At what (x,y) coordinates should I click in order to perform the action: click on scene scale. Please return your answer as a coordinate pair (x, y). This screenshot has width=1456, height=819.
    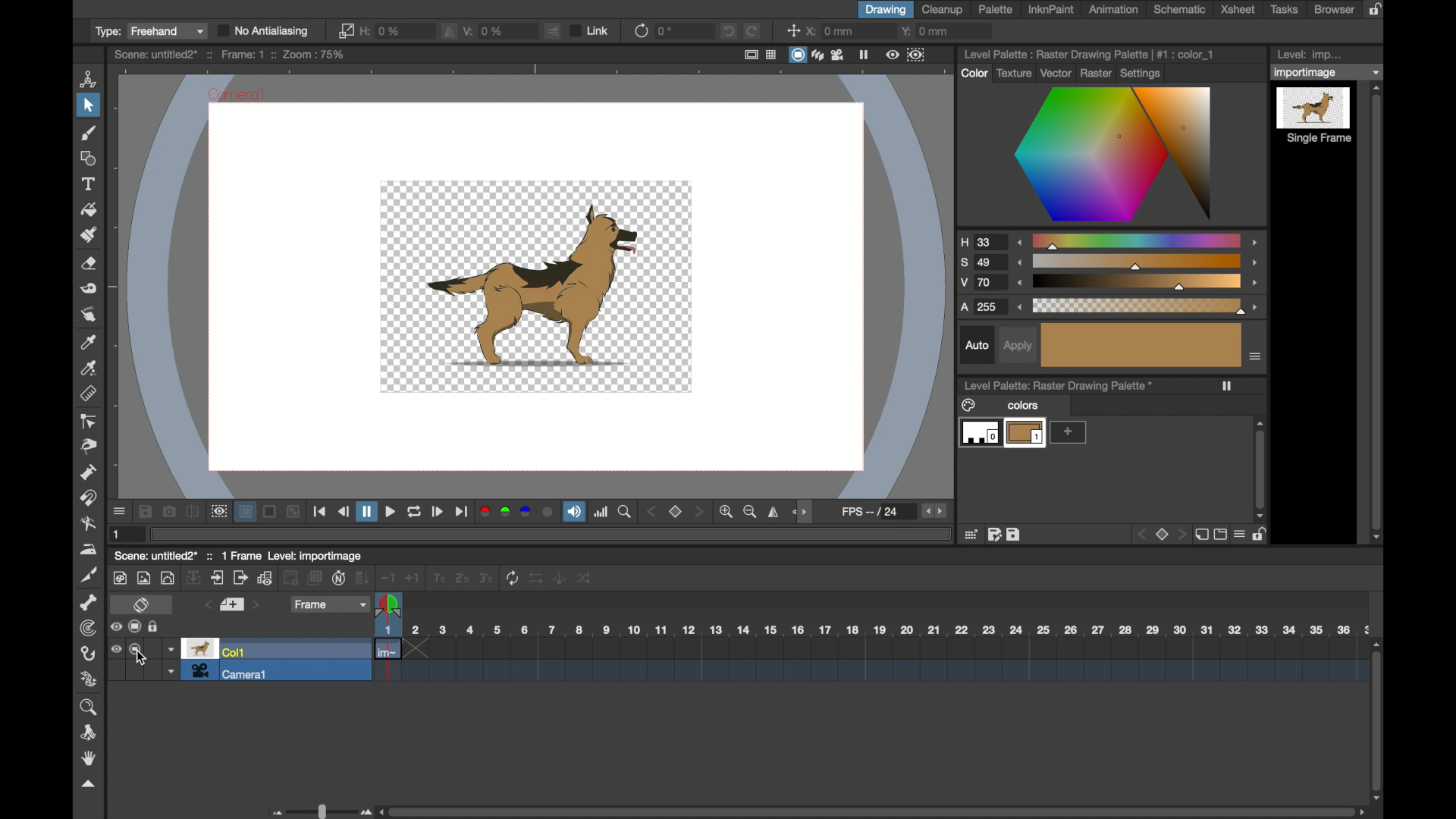
    Looking at the image, I should click on (870, 630).